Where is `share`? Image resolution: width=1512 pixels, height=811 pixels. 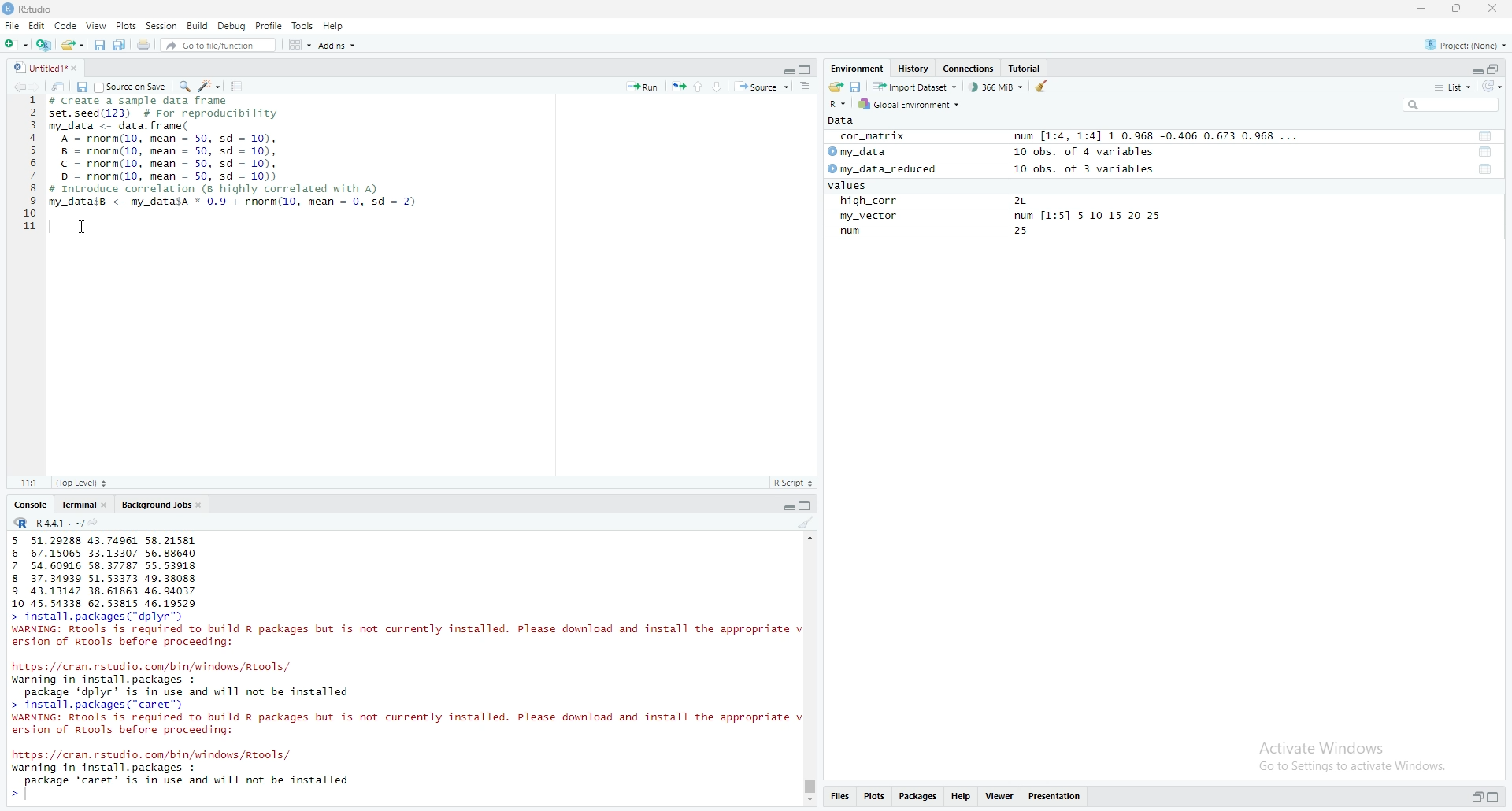 share is located at coordinates (836, 87).